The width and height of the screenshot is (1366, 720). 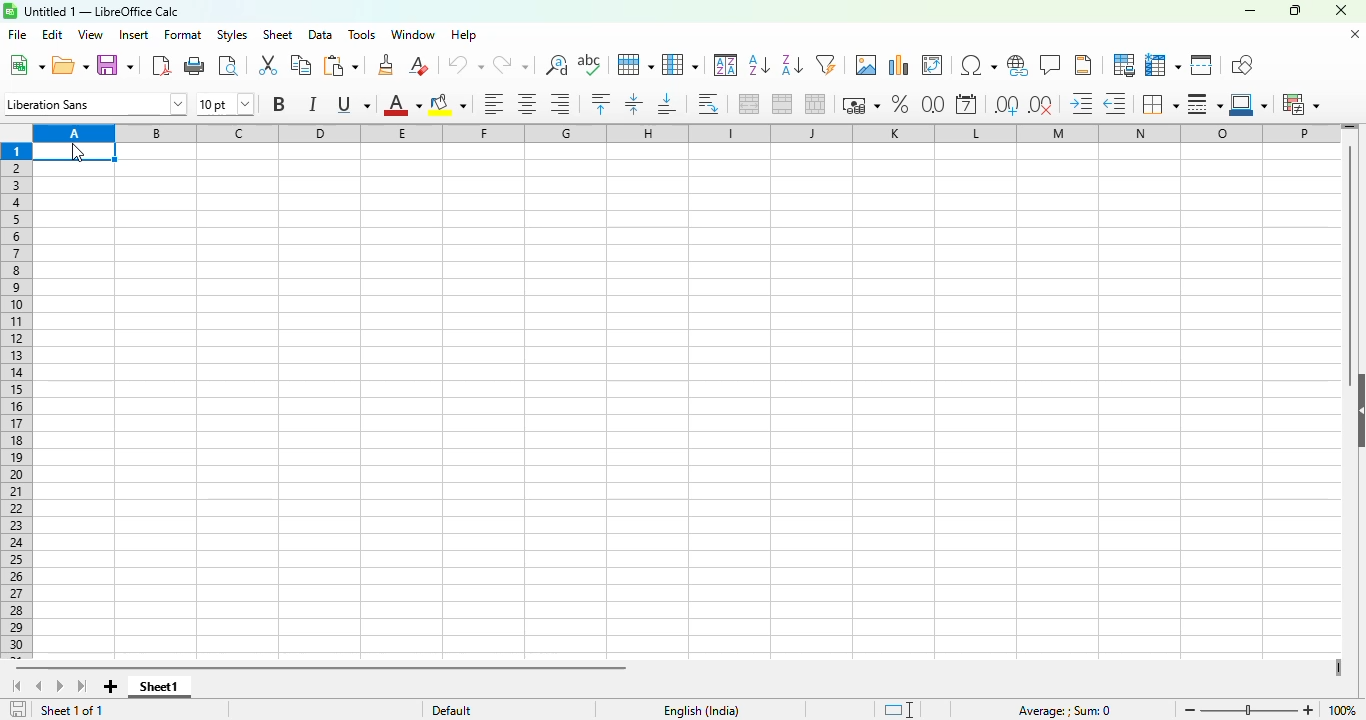 What do you see at coordinates (114, 66) in the screenshot?
I see `save` at bounding box center [114, 66].